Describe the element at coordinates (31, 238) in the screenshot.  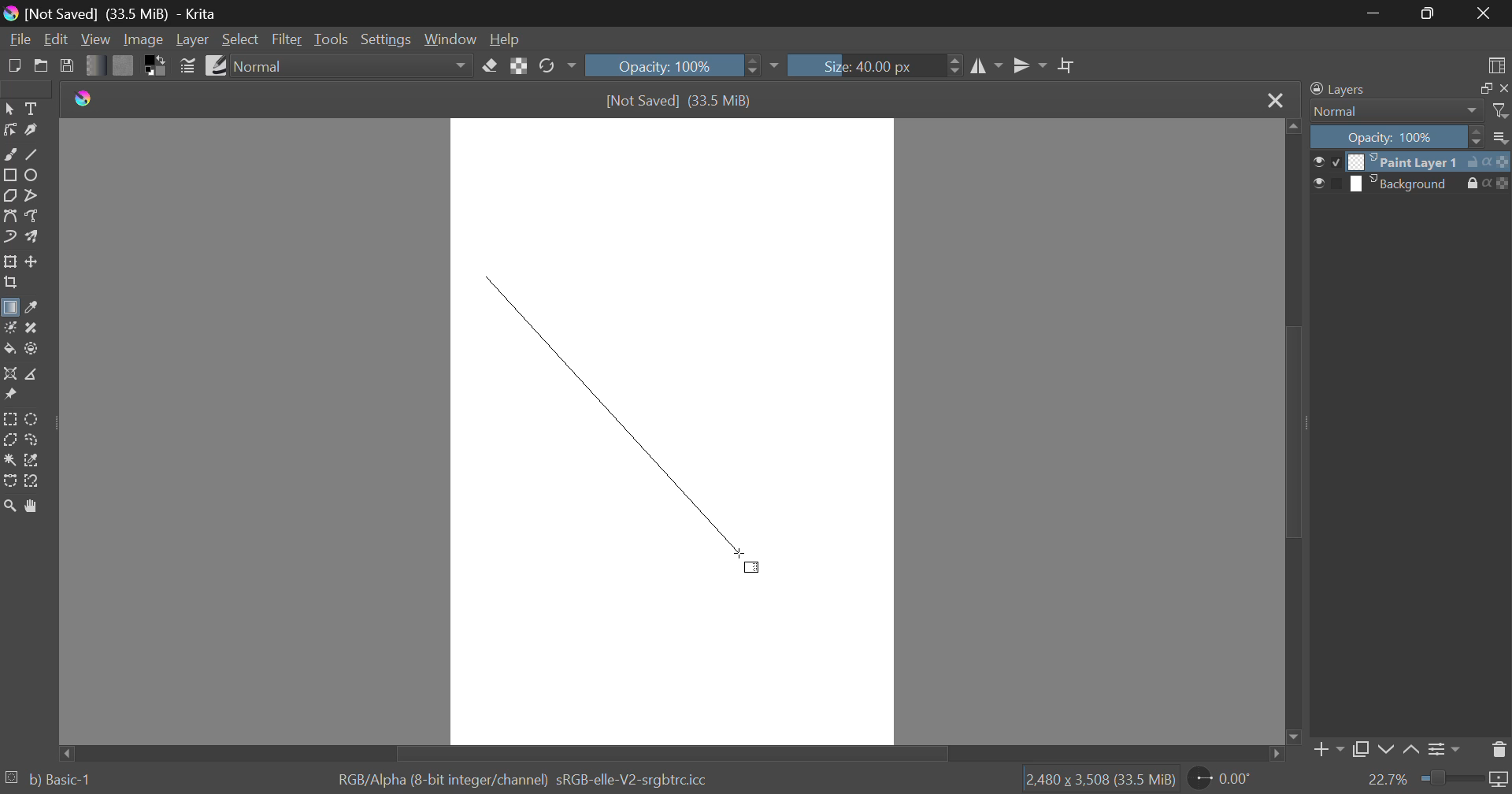
I see `Multibrush Tool` at that location.